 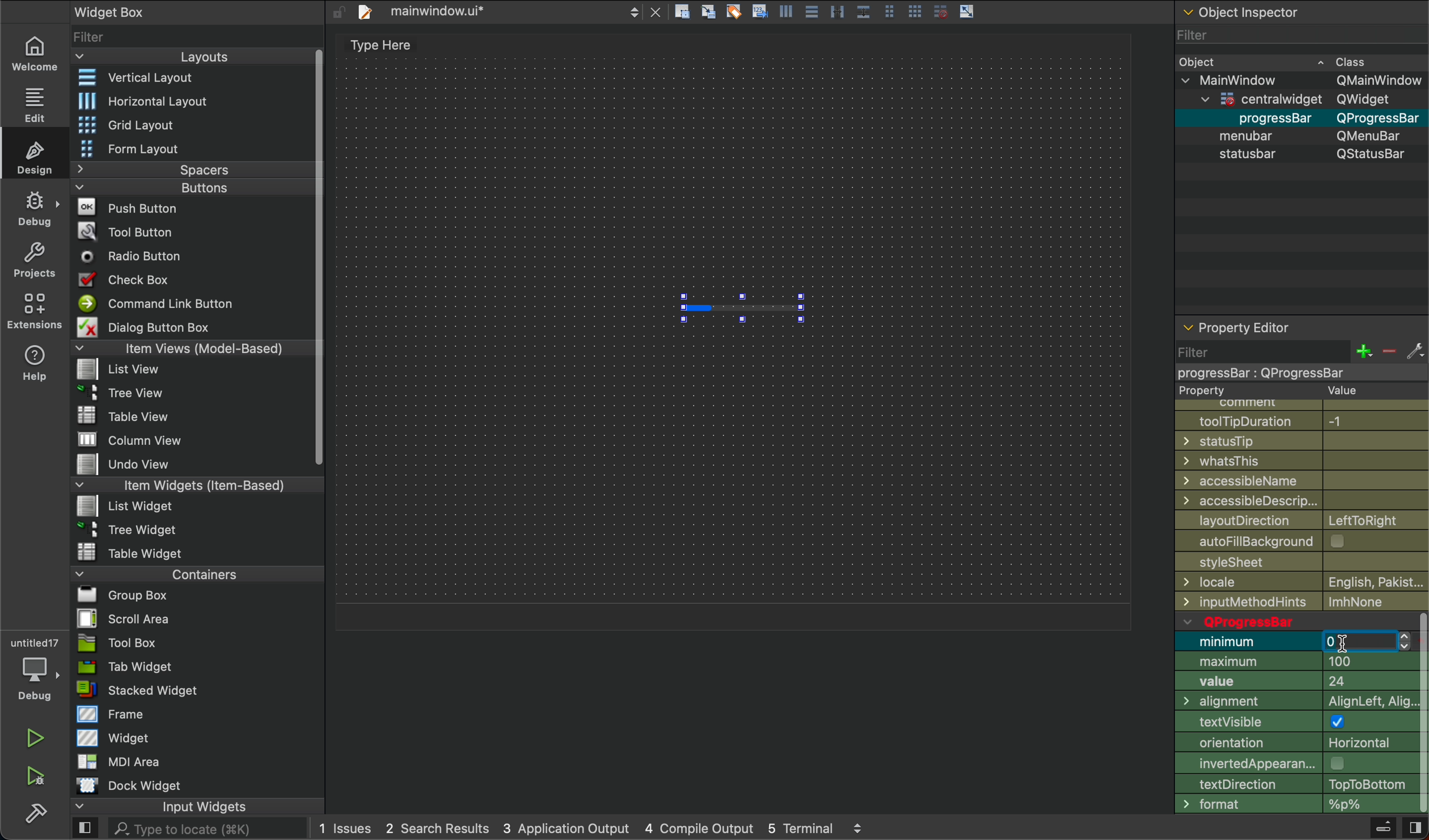 I want to click on Alignment, so click(x=1293, y=703).